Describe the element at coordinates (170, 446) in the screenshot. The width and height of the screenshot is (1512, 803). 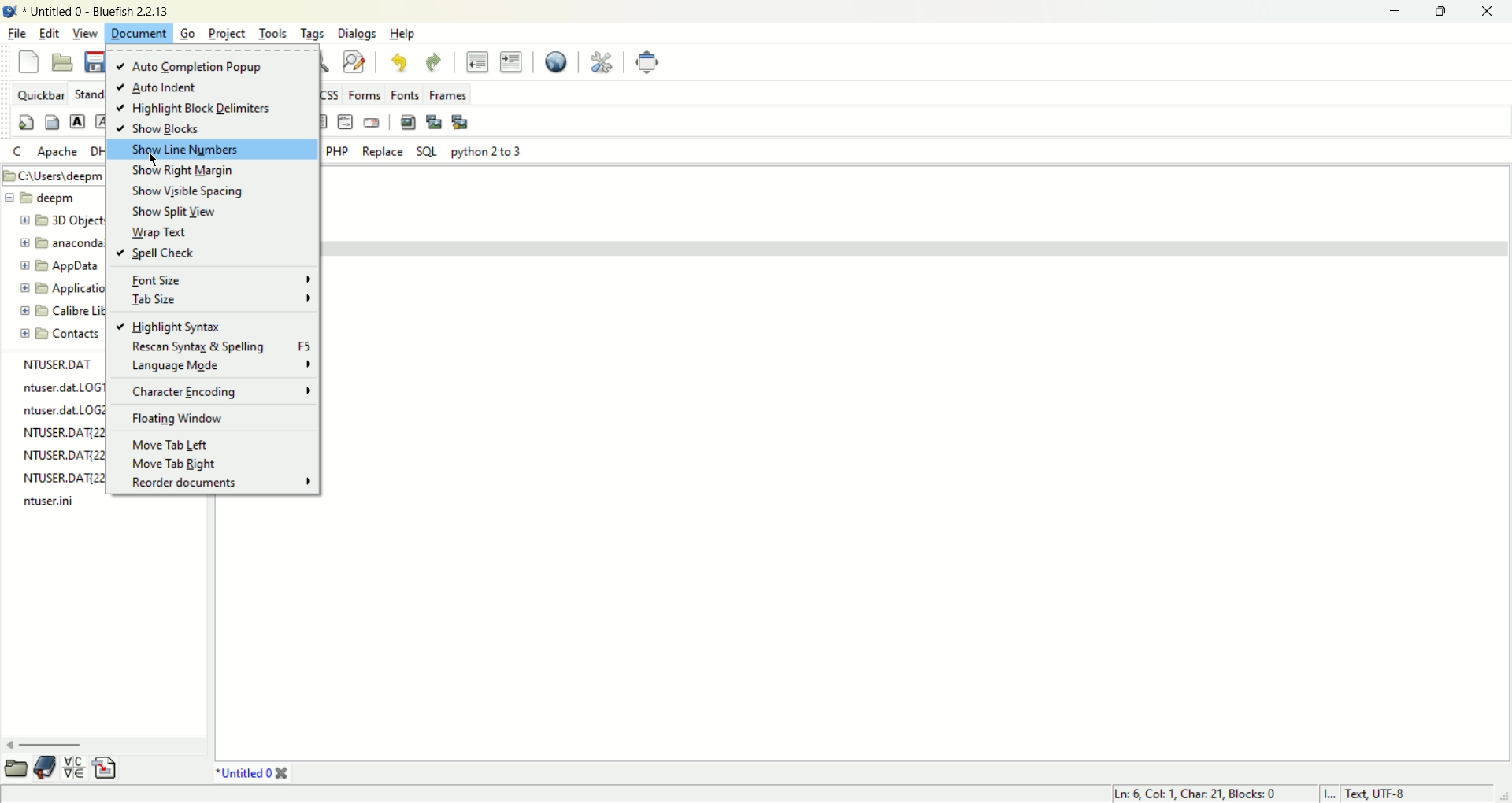
I see `move tab left` at that location.